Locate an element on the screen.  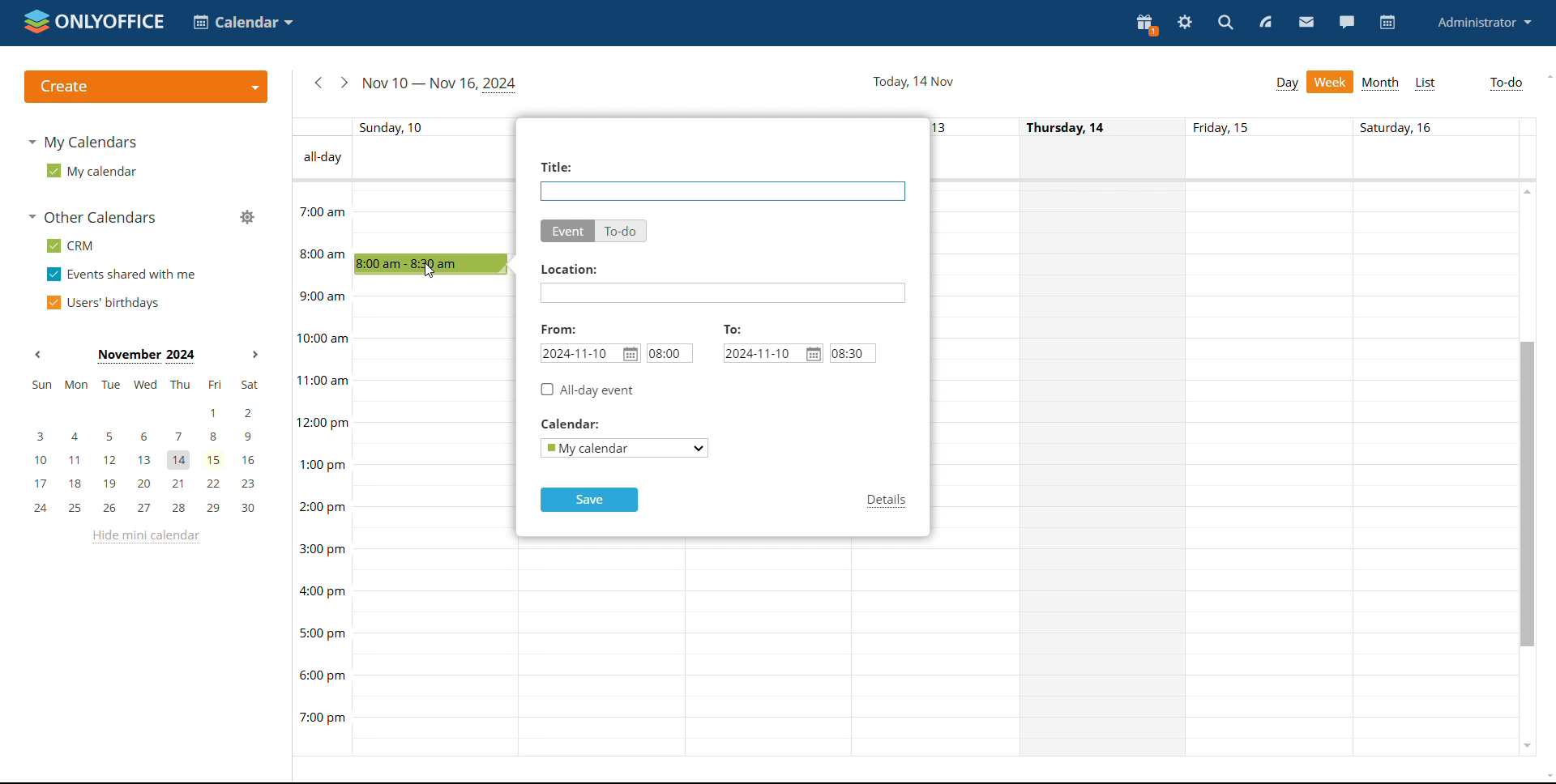
events shared with me is located at coordinates (122, 275).